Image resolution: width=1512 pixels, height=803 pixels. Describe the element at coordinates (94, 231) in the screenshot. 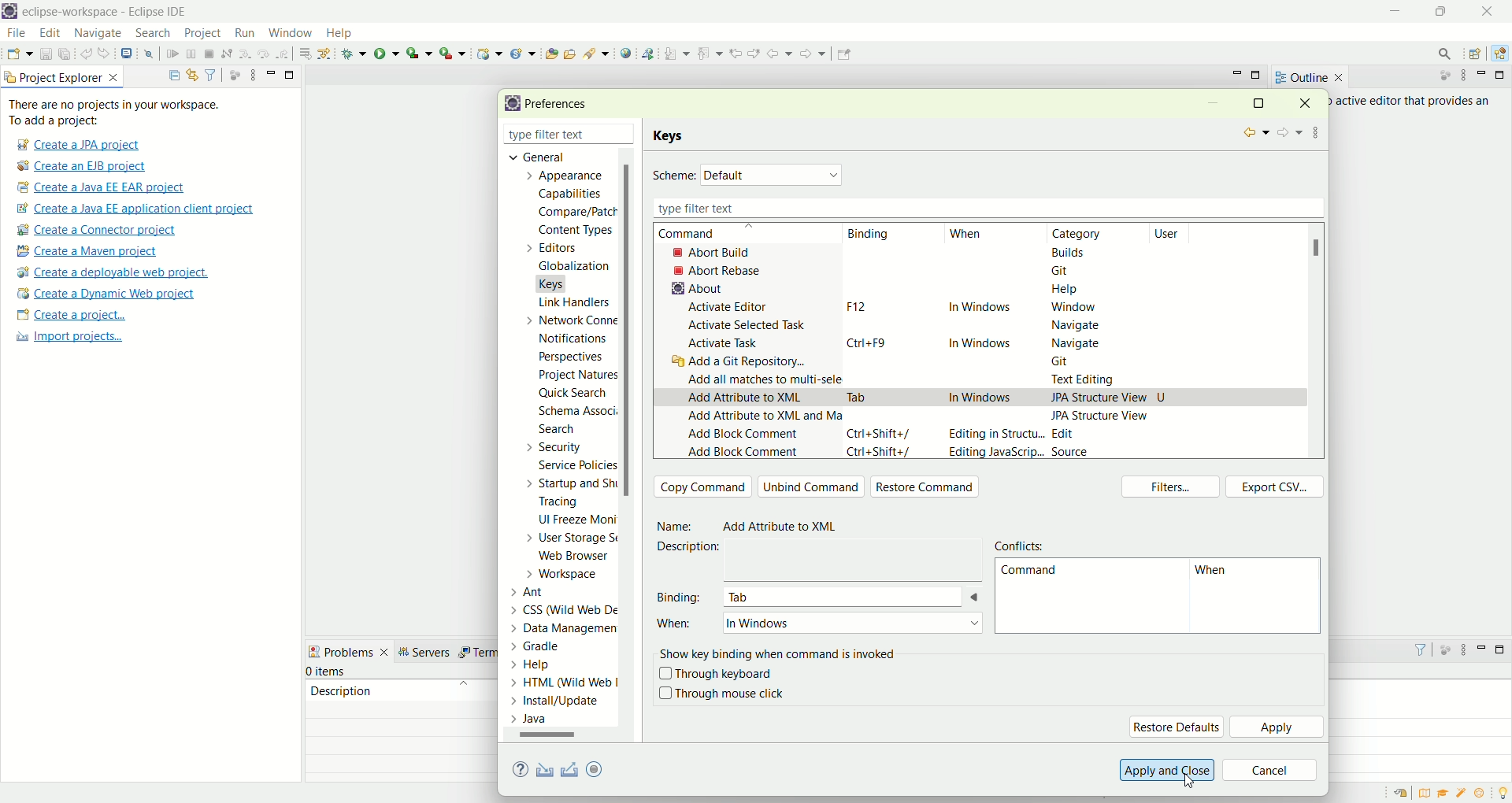

I see `create a connector project` at that location.